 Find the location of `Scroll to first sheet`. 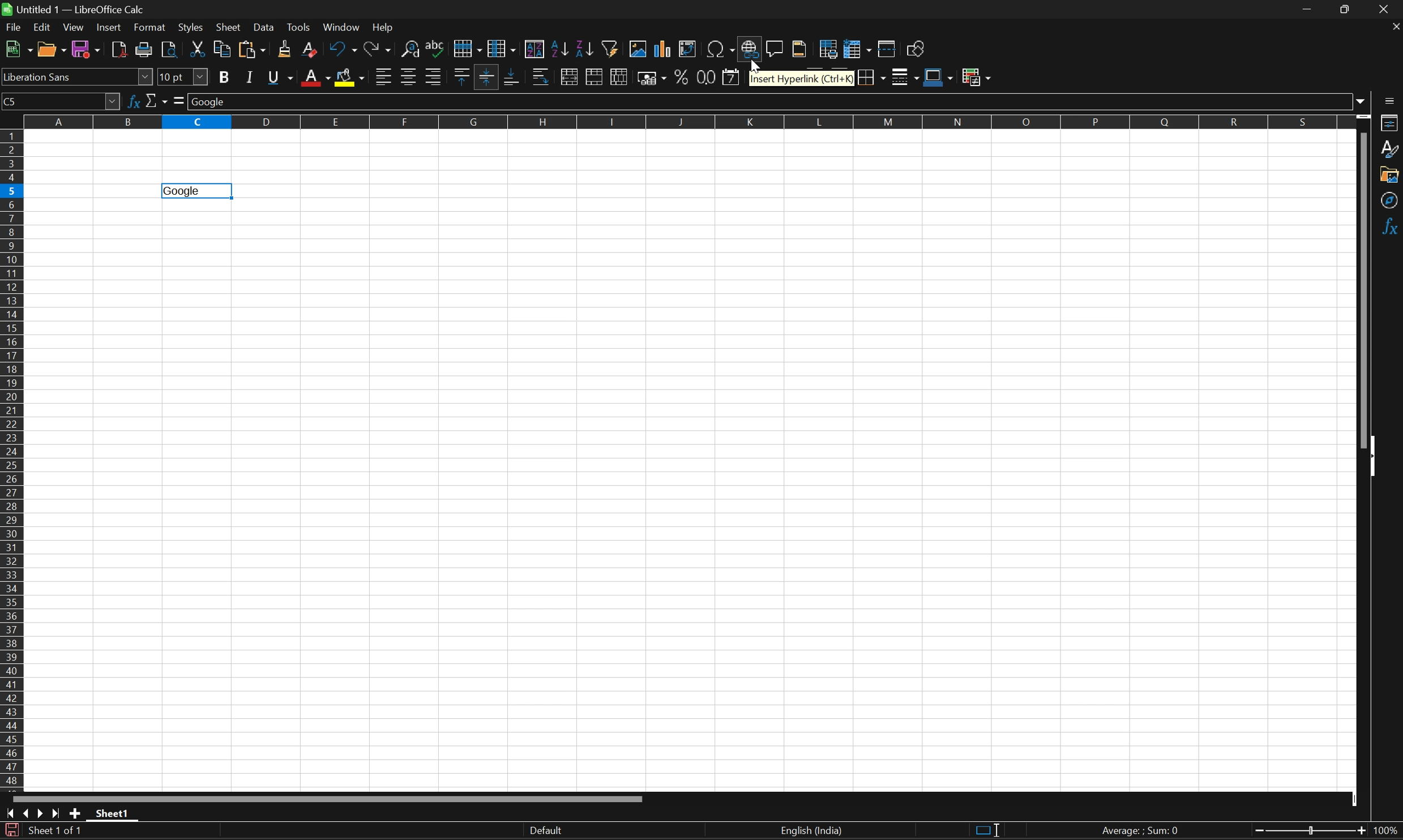

Scroll to first sheet is located at coordinates (10, 815).